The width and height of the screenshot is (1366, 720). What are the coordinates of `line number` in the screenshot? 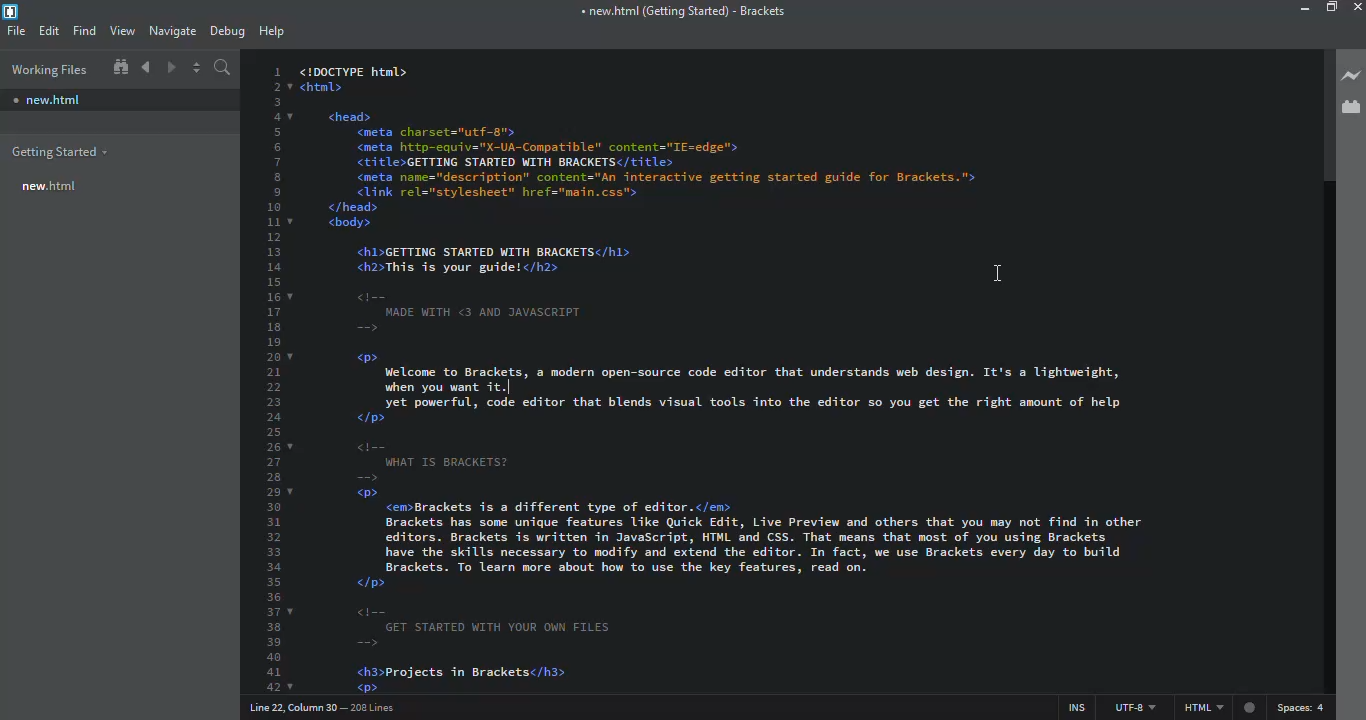 It's located at (274, 375).